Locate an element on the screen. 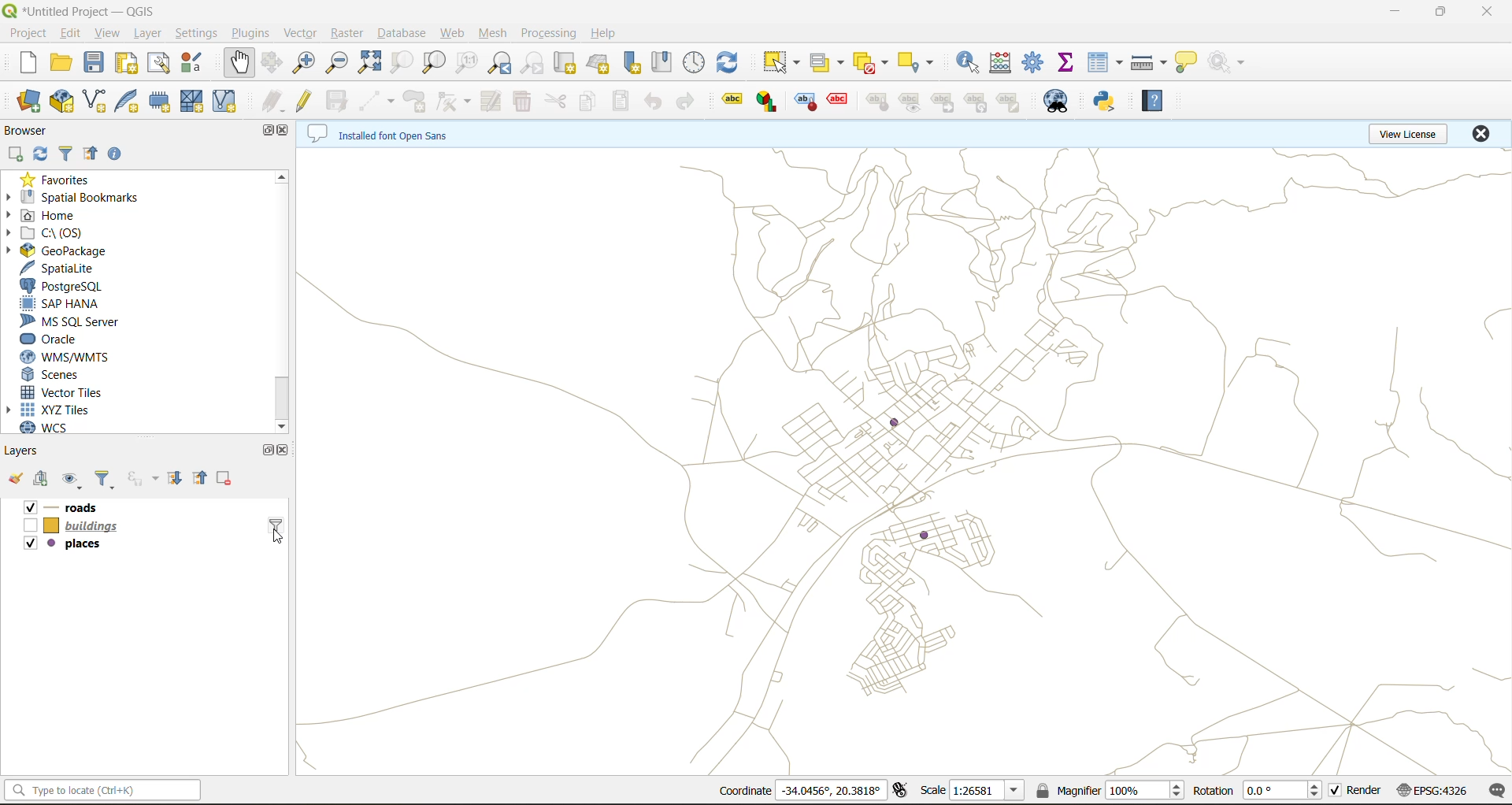 This screenshot has height=805, width=1512. layers is located at coordinates (81, 525).